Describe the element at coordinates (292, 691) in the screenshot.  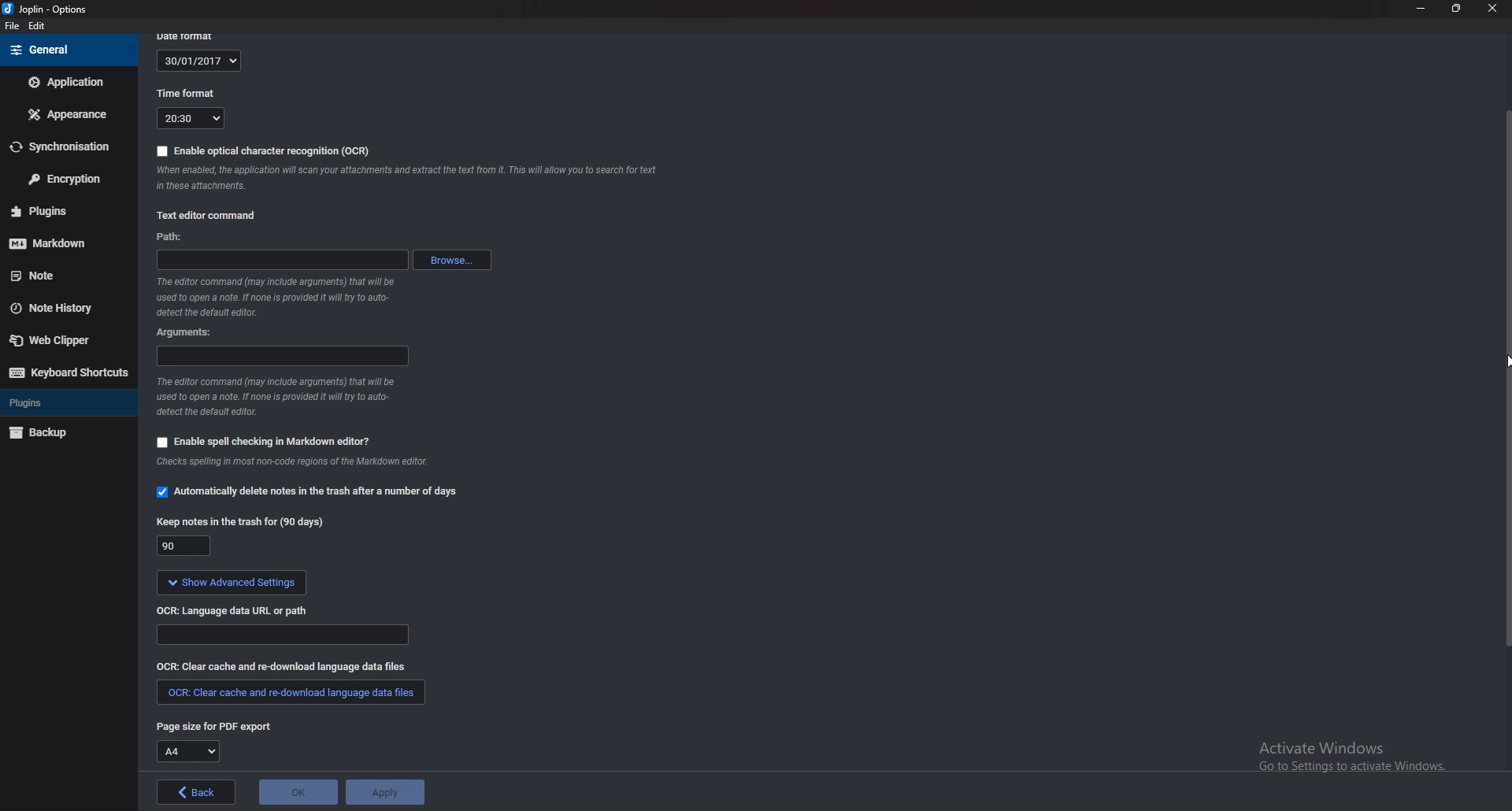
I see `clear cache and redownload language data` at that location.